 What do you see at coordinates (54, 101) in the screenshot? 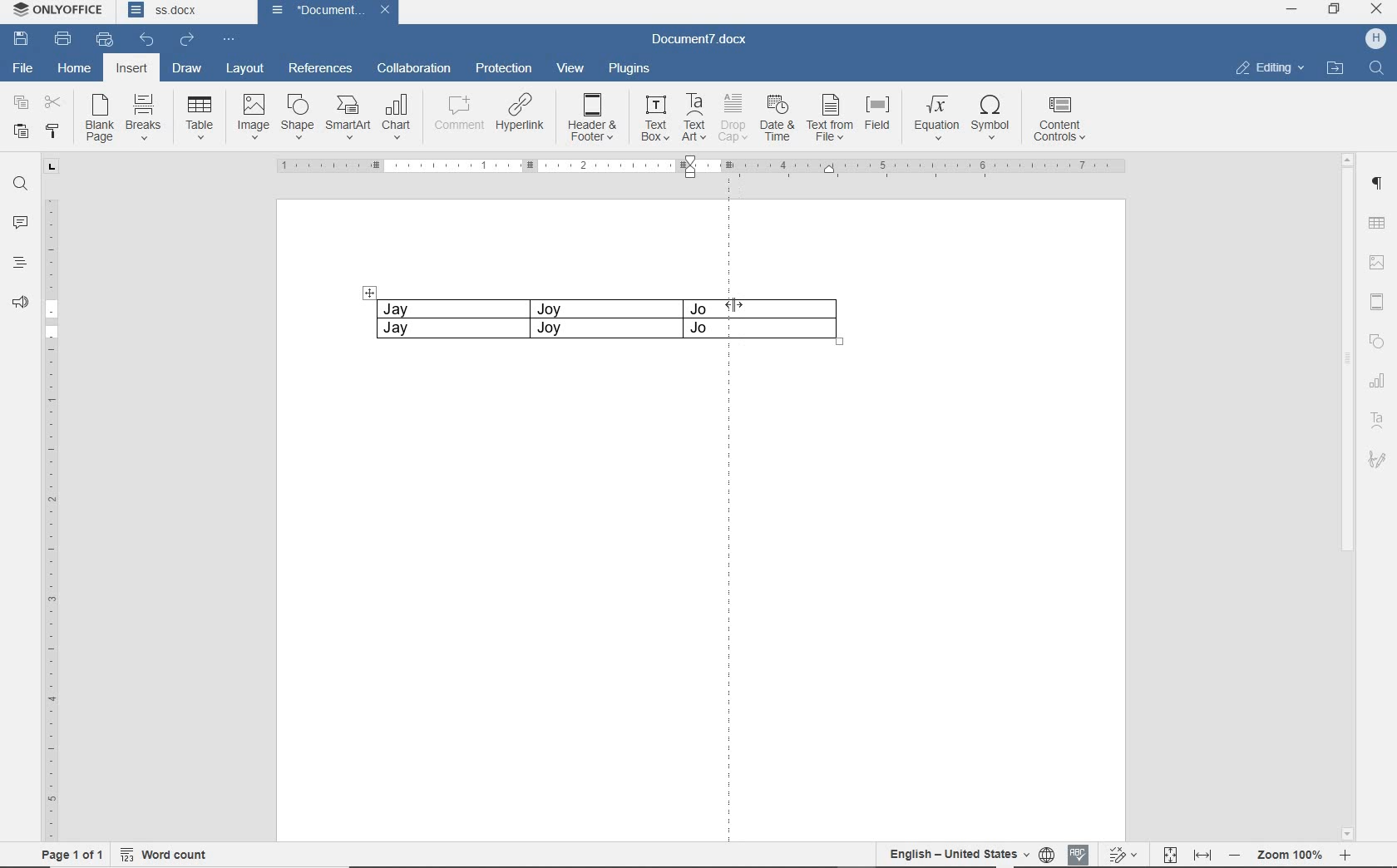
I see `CUT` at bounding box center [54, 101].